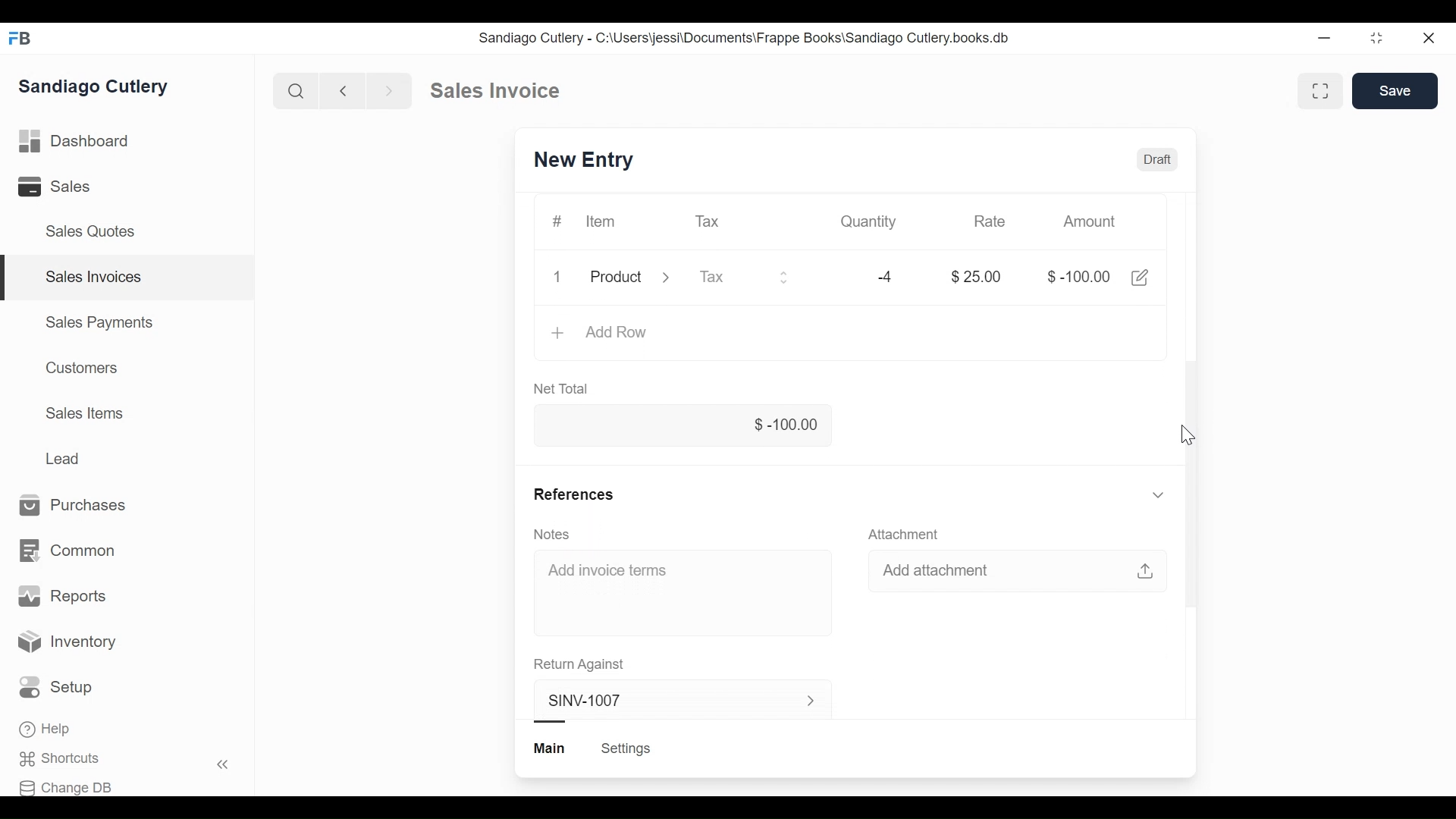  Describe the element at coordinates (601, 221) in the screenshot. I see `Item` at that location.